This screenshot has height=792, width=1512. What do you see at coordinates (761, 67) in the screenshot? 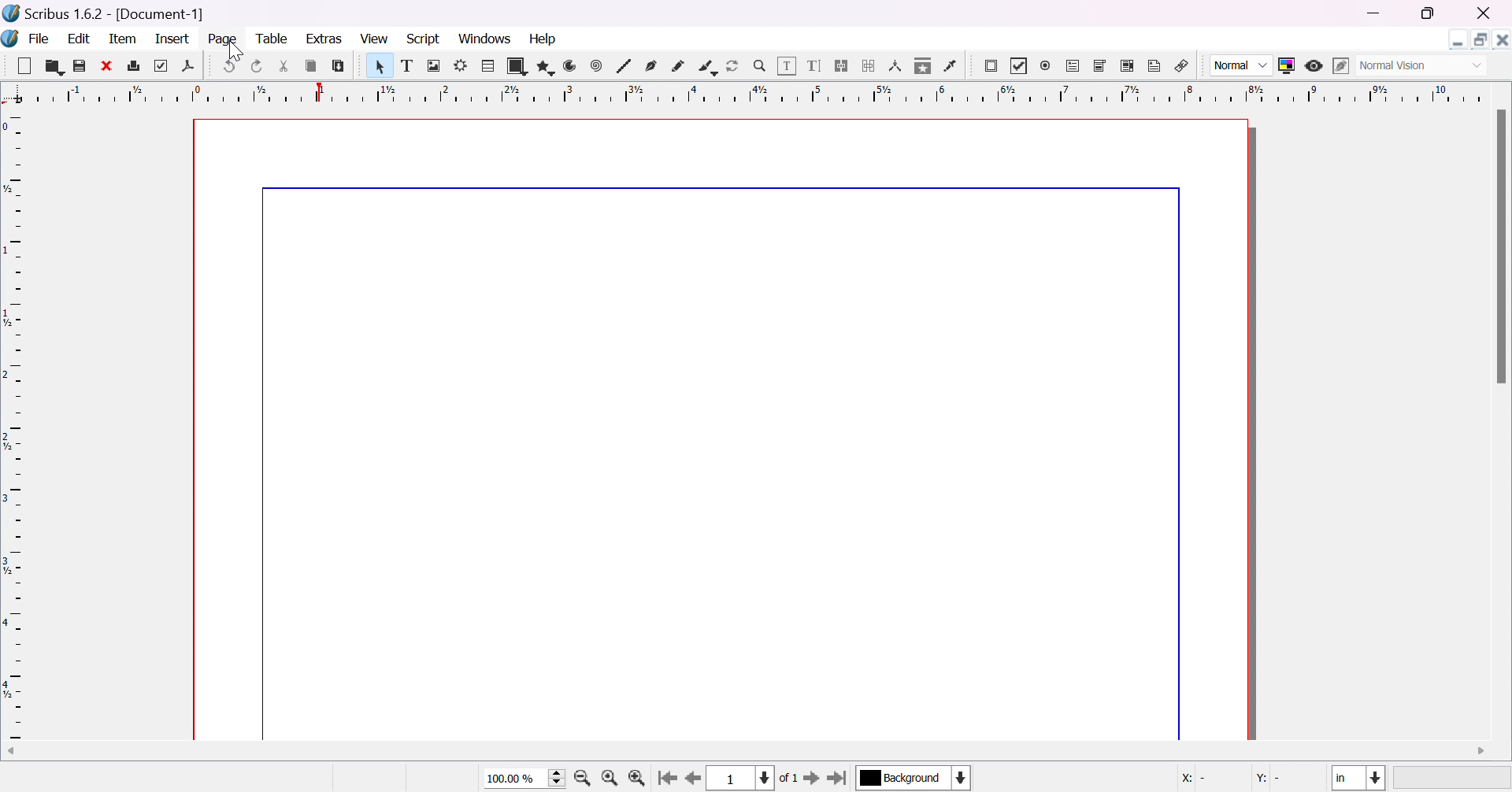
I see `zoom in / zoom out` at bounding box center [761, 67].